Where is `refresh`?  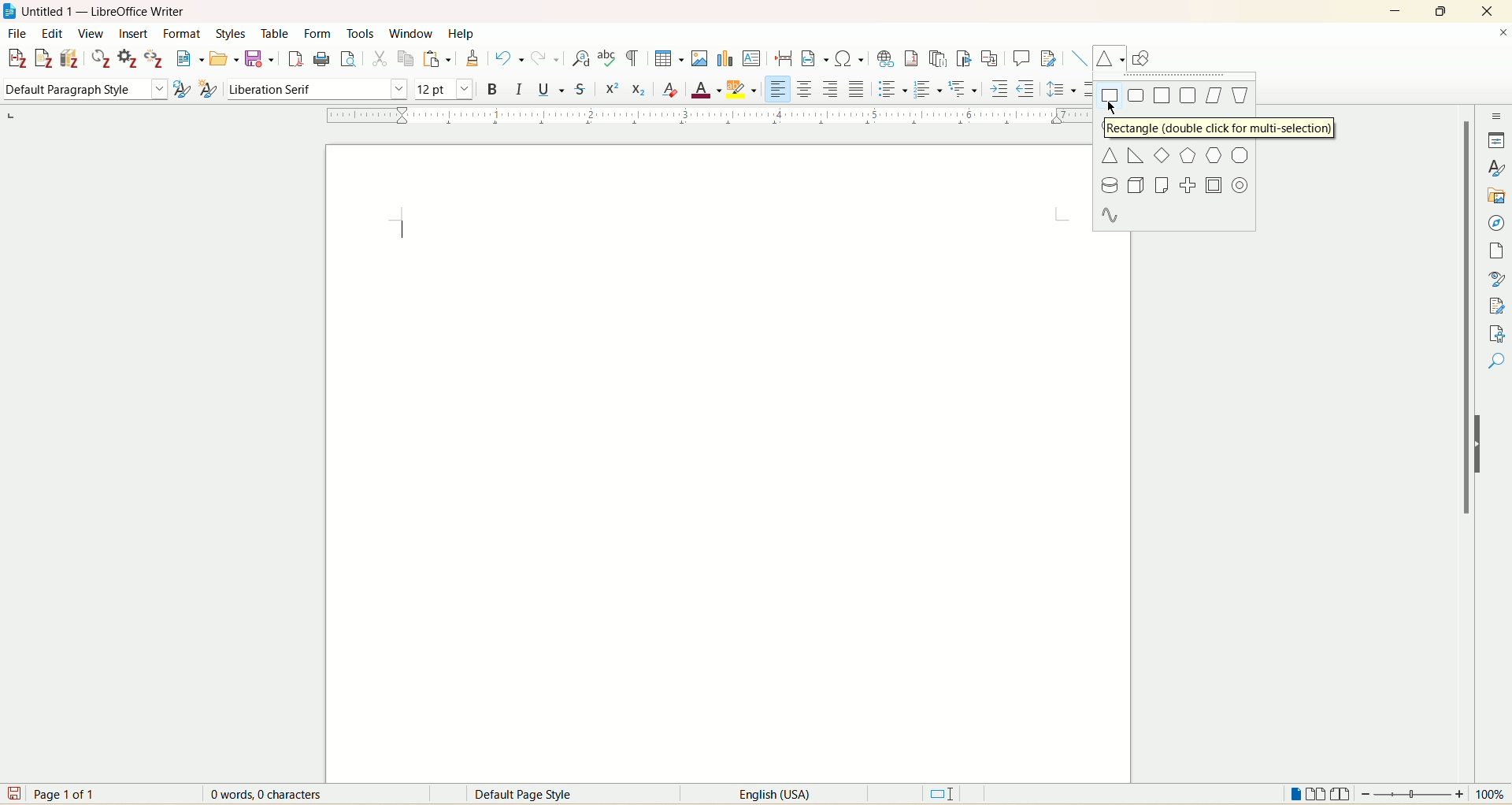 refresh is located at coordinates (102, 59).